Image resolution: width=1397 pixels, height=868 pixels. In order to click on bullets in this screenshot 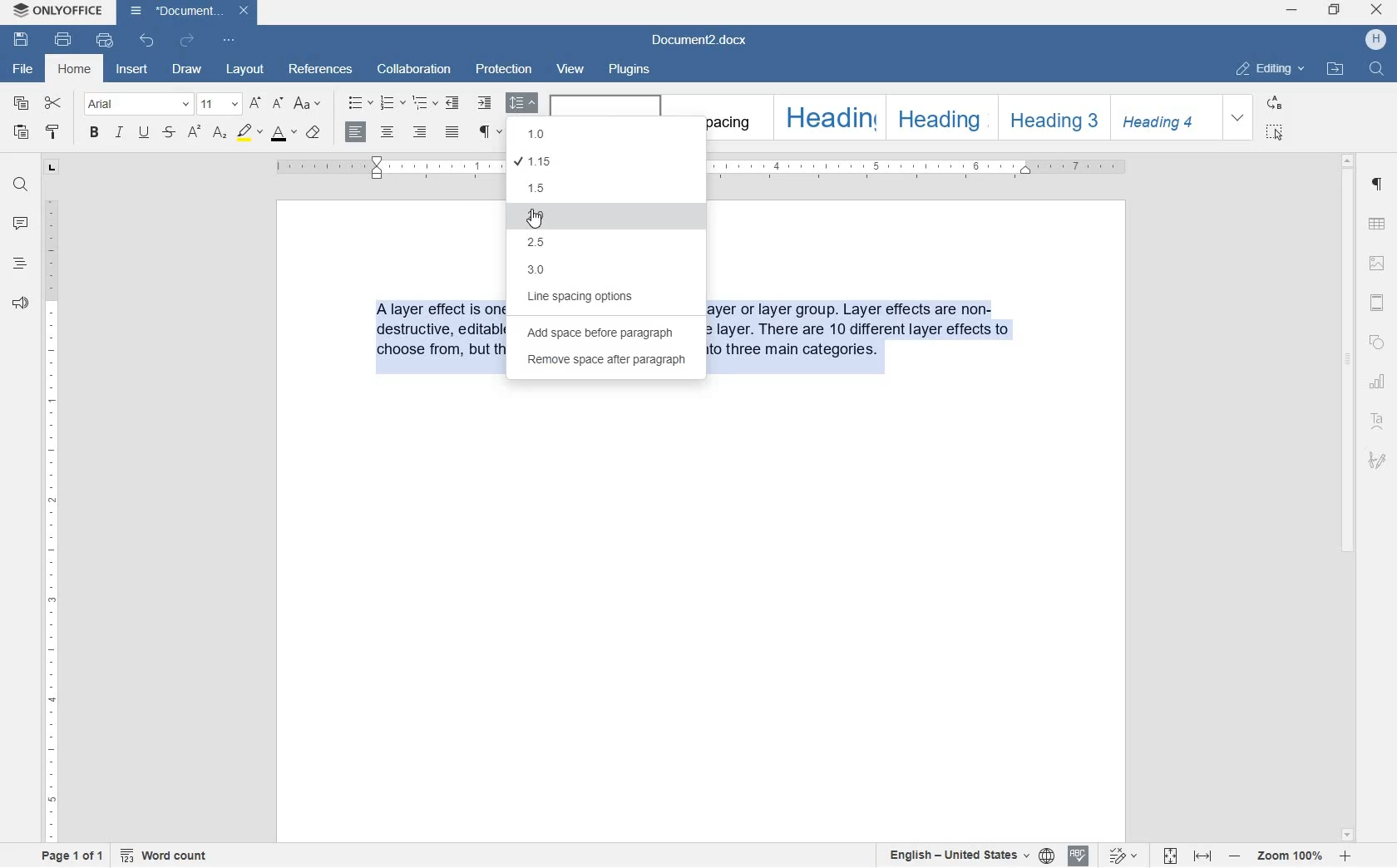, I will do `click(359, 103)`.